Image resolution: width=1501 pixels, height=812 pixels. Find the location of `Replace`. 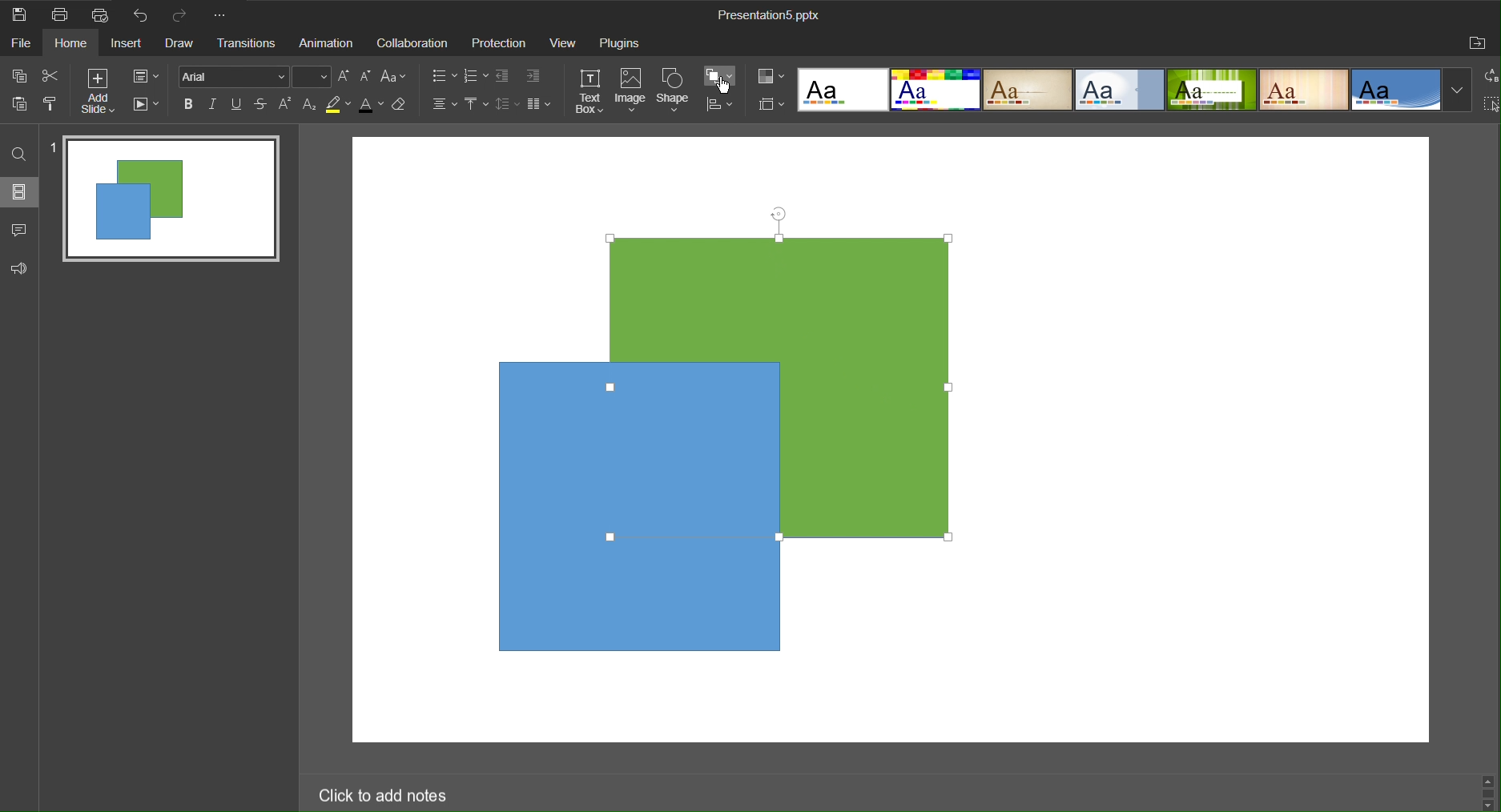

Replace is located at coordinates (1491, 76).